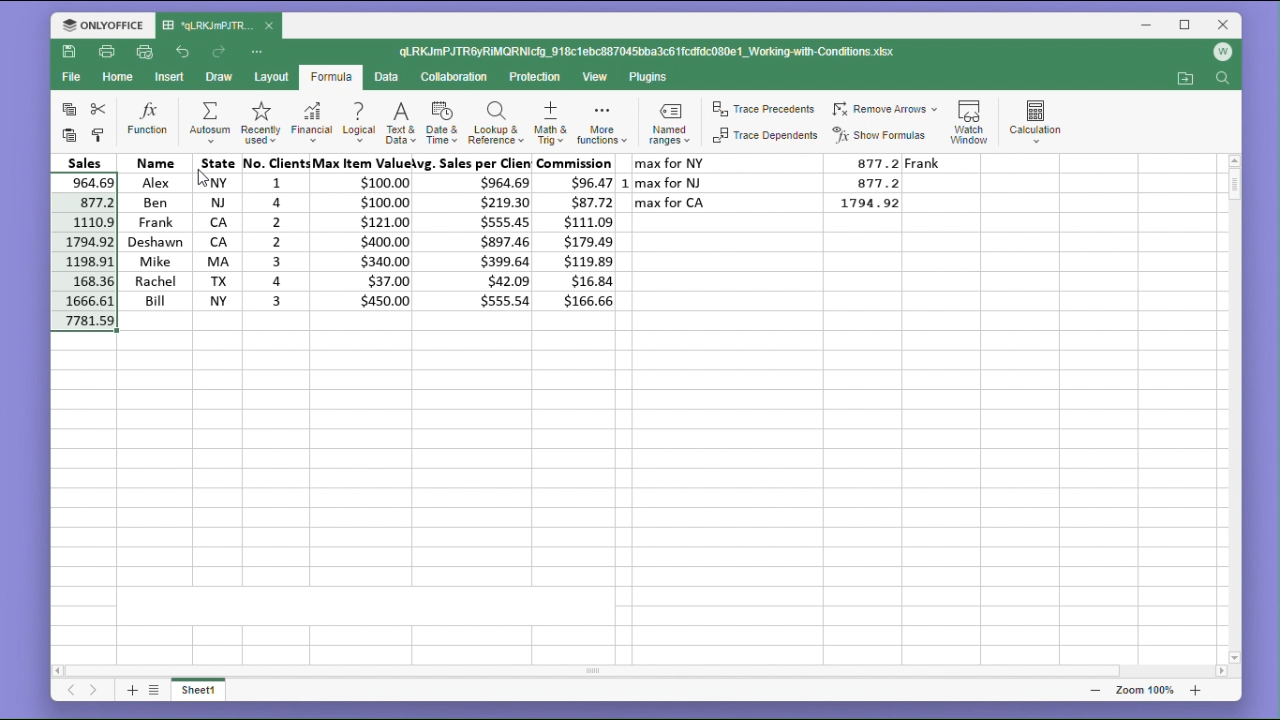 This screenshot has width=1280, height=720. I want to click on draw, so click(219, 78).